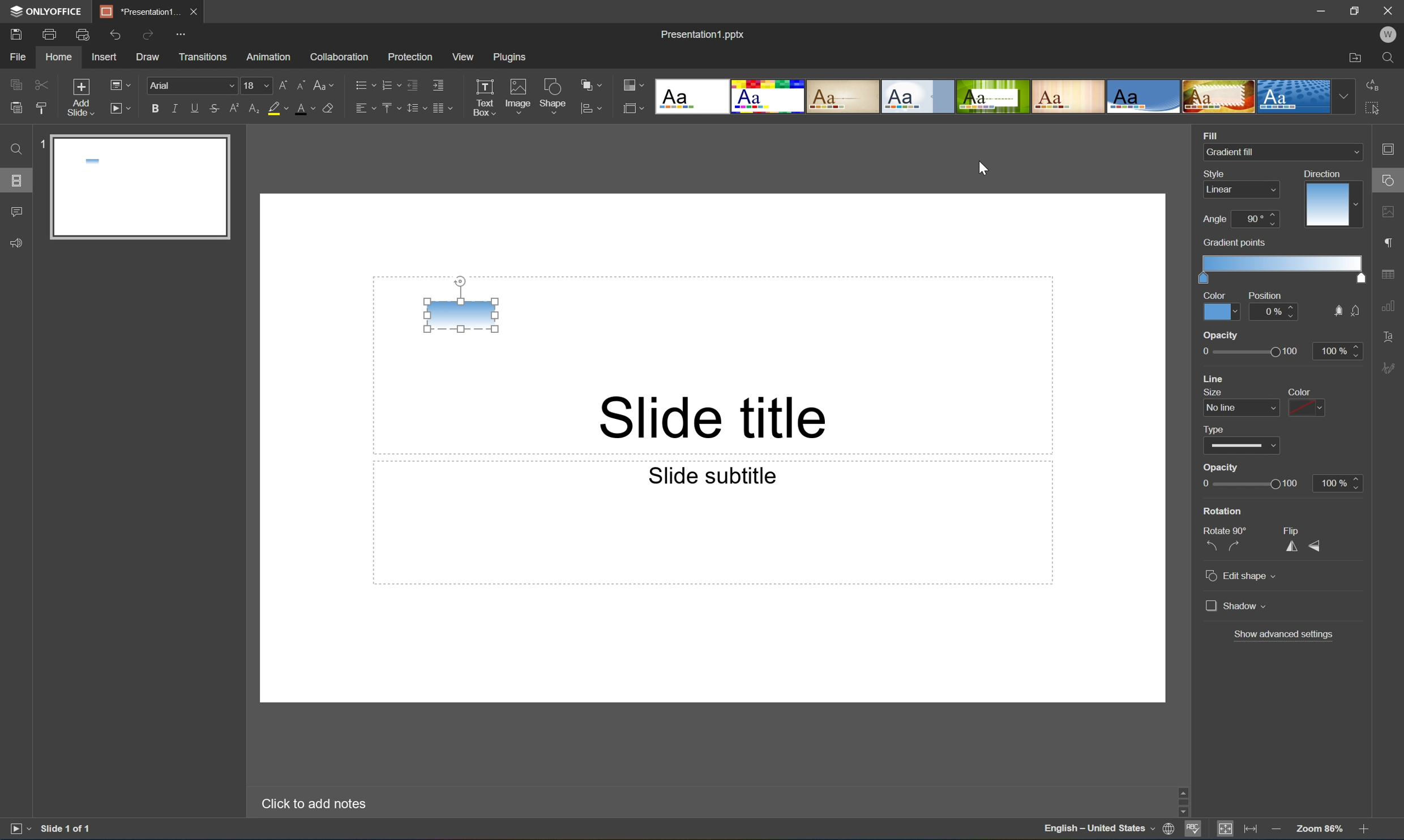 Image resolution: width=1404 pixels, height=840 pixels. What do you see at coordinates (195, 106) in the screenshot?
I see `Underline` at bounding box center [195, 106].